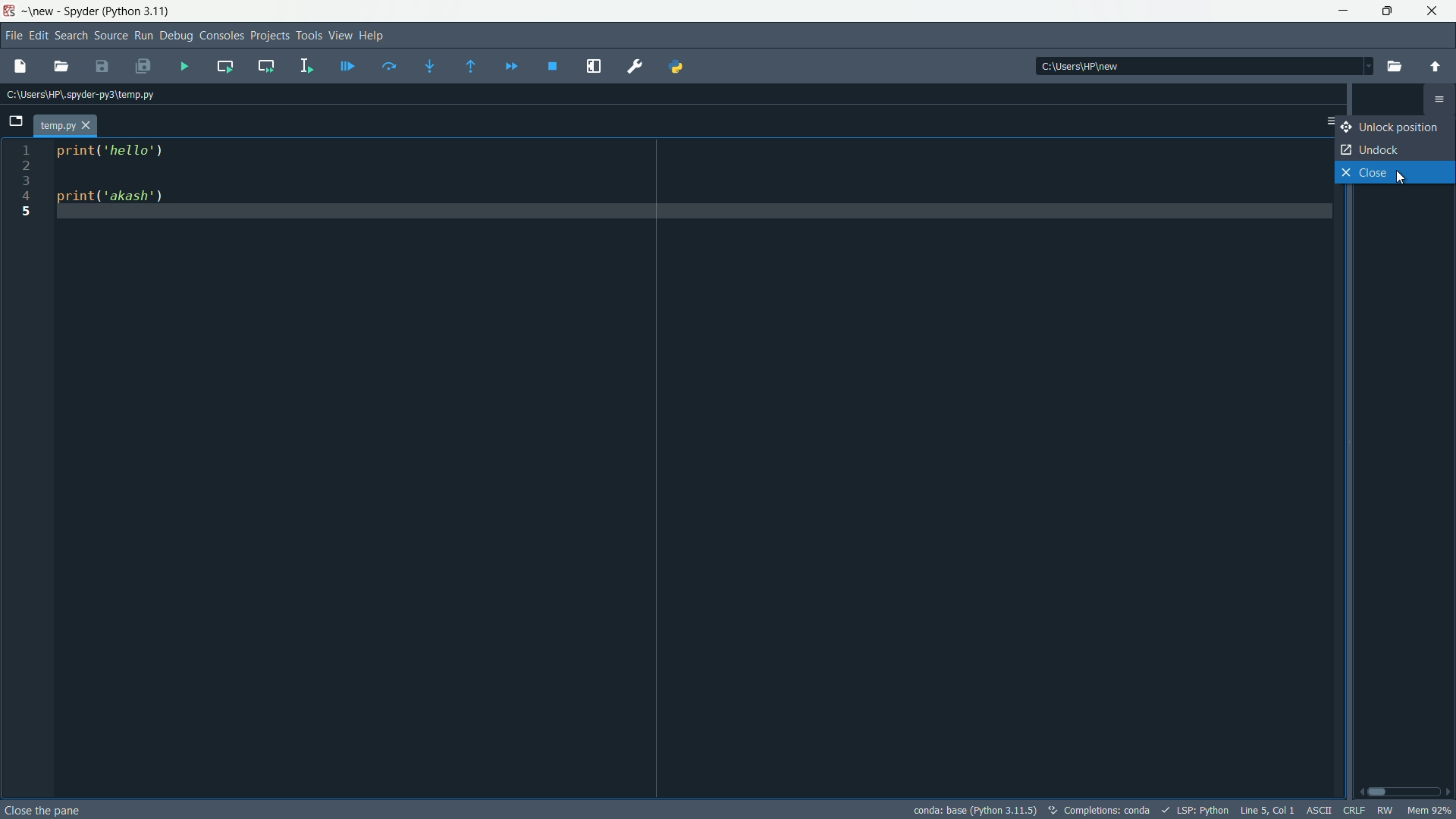  Describe the element at coordinates (1432, 67) in the screenshot. I see `parent directory` at that location.